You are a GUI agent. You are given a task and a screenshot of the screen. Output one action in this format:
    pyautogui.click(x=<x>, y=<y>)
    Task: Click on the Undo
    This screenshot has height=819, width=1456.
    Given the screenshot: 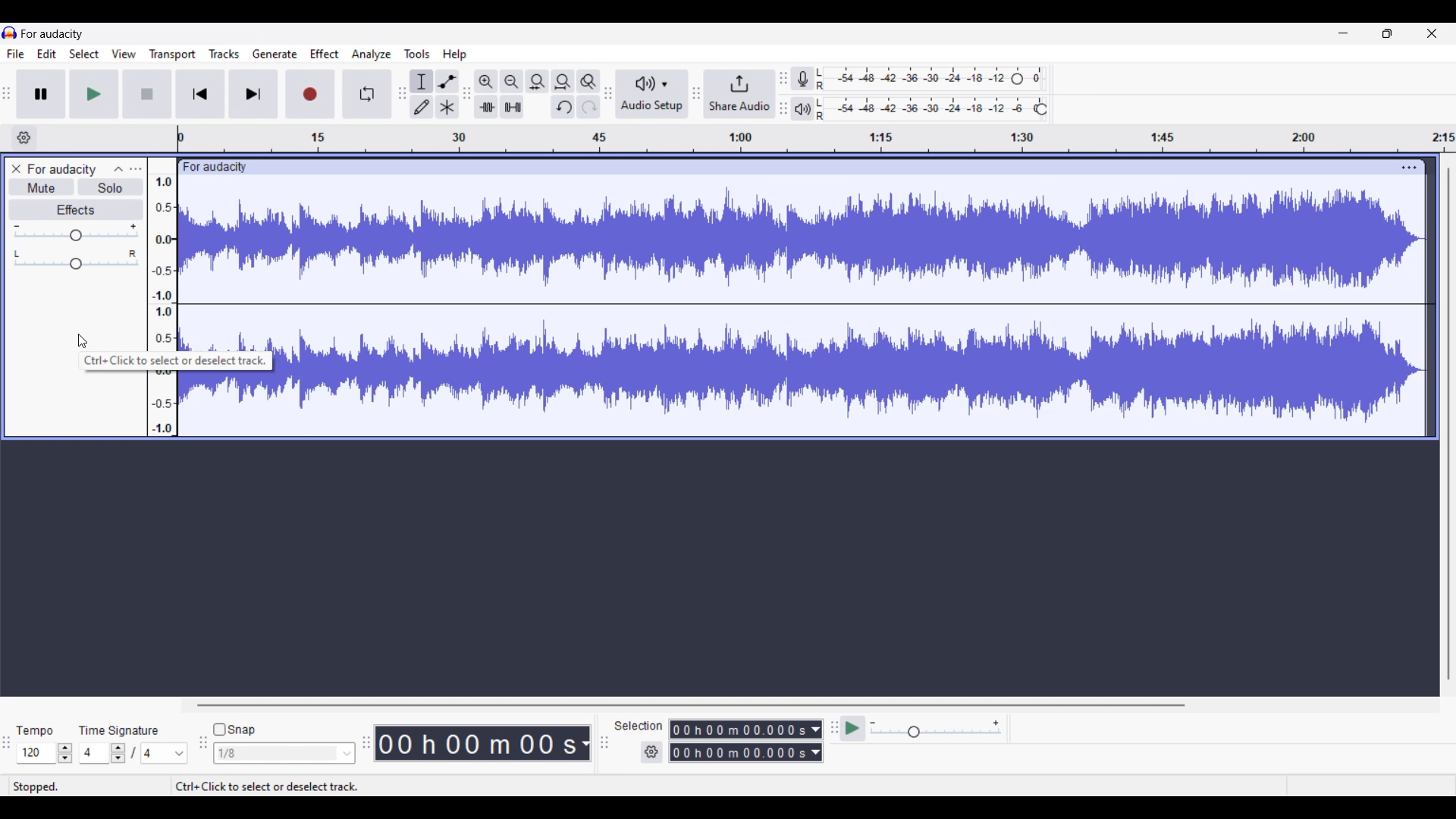 What is the action you would take?
    pyautogui.click(x=563, y=107)
    